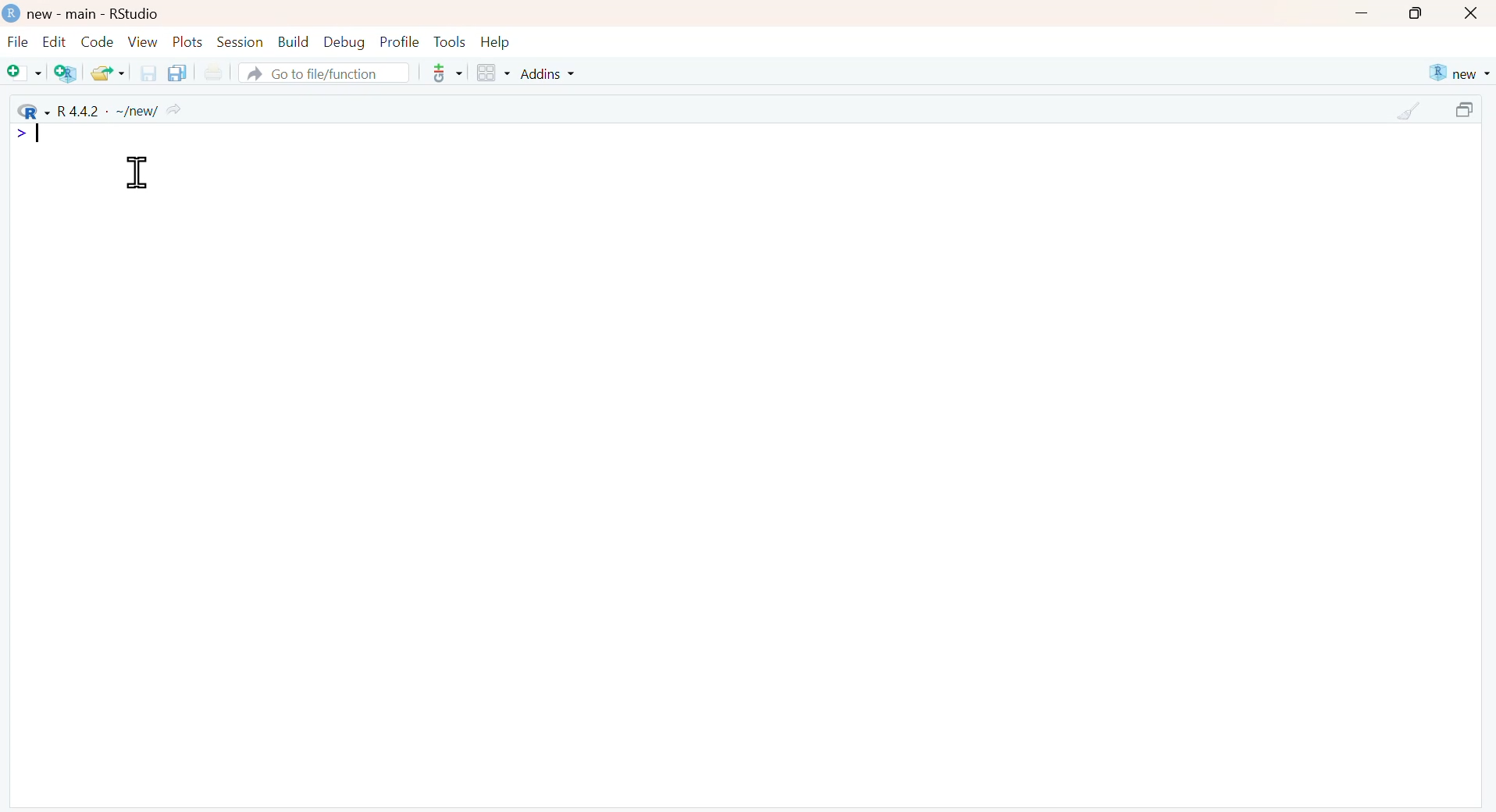  Describe the element at coordinates (188, 41) in the screenshot. I see `Plots` at that location.